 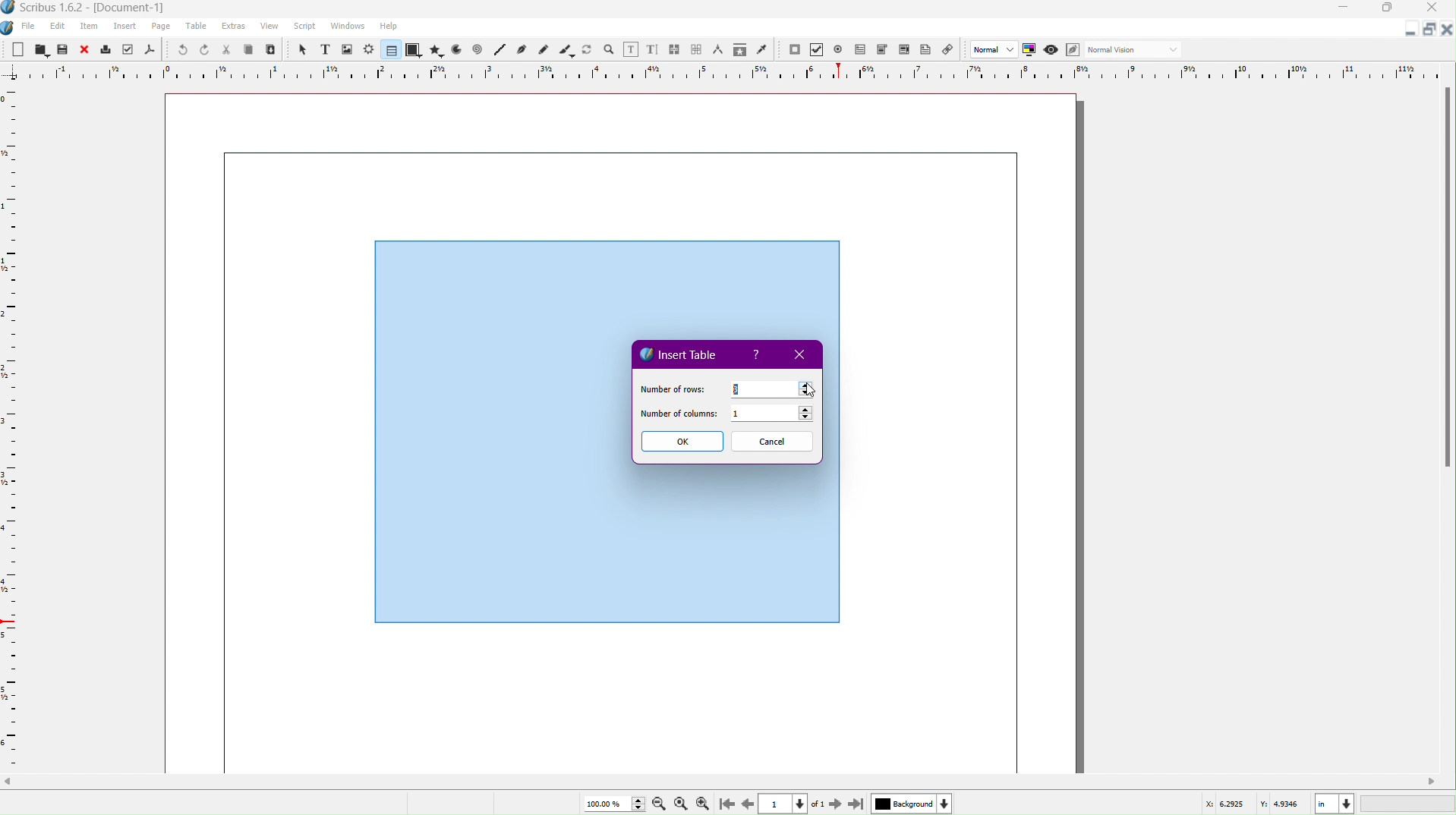 What do you see at coordinates (680, 801) in the screenshot?
I see `Zoom to 100%` at bounding box center [680, 801].